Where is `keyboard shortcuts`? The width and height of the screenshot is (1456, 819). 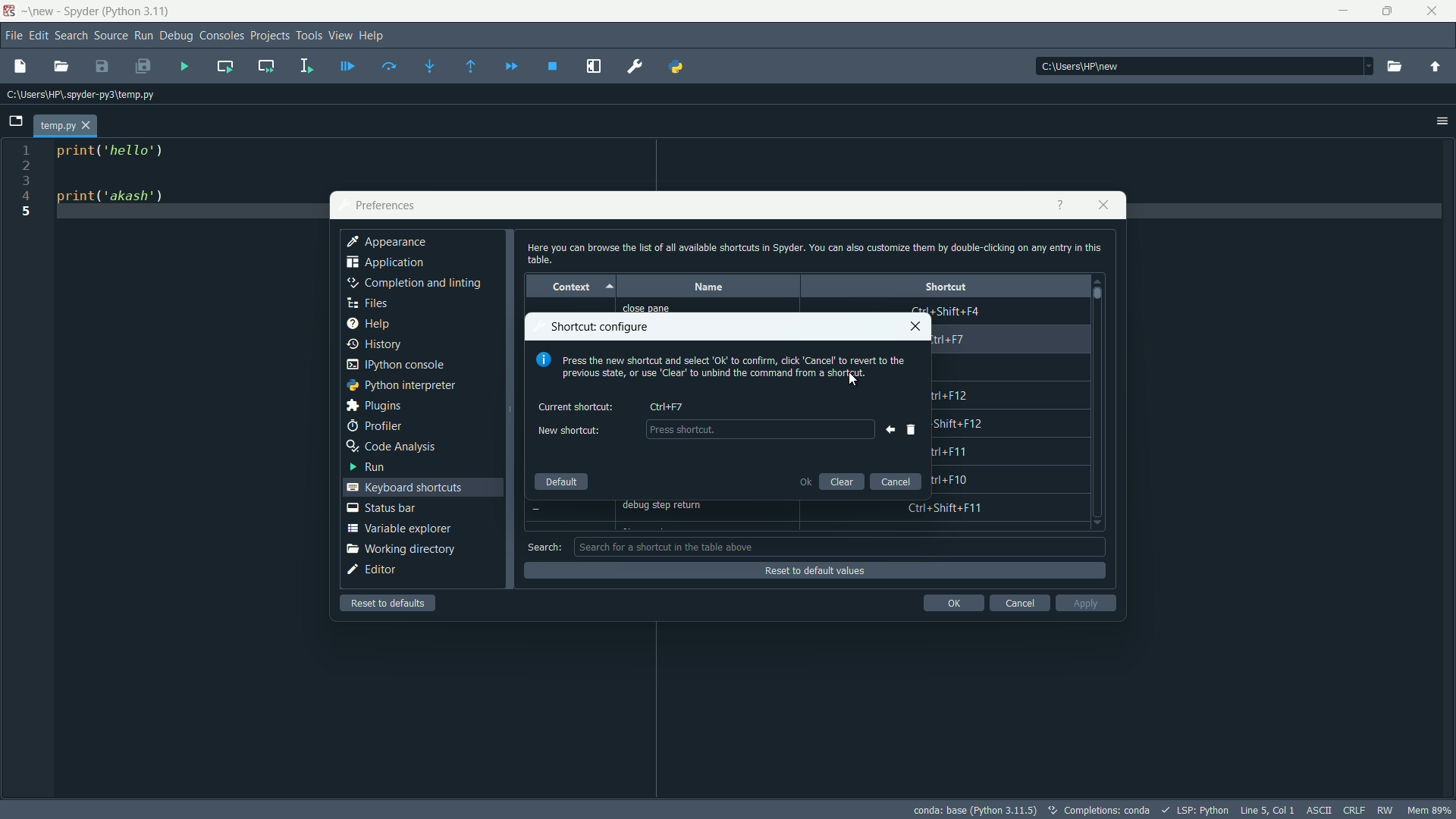
keyboard shortcuts is located at coordinates (407, 487).